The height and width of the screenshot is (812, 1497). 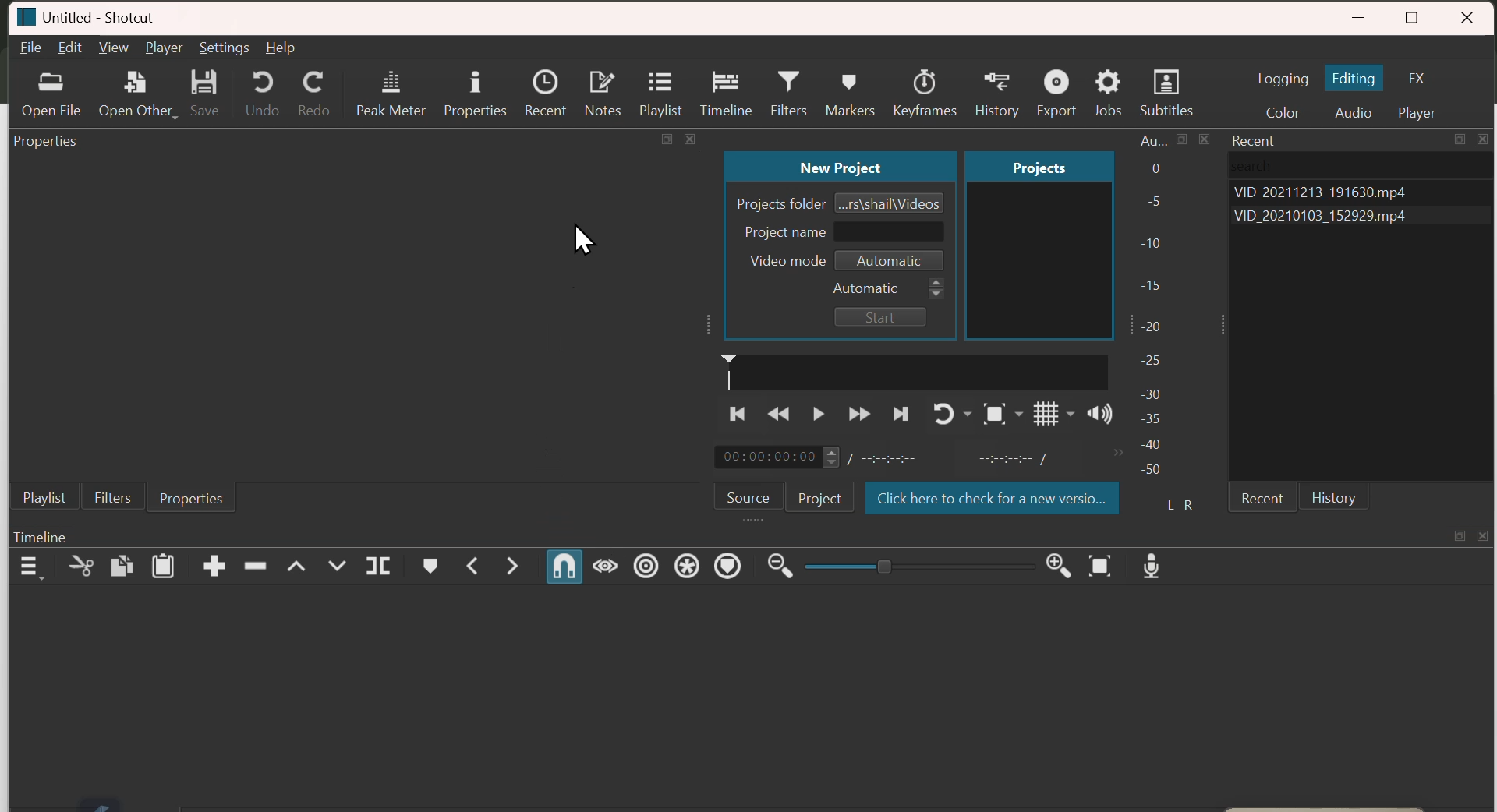 What do you see at coordinates (667, 139) in the screenshot?
I see `Maximize` at bounding box center [667, 139].